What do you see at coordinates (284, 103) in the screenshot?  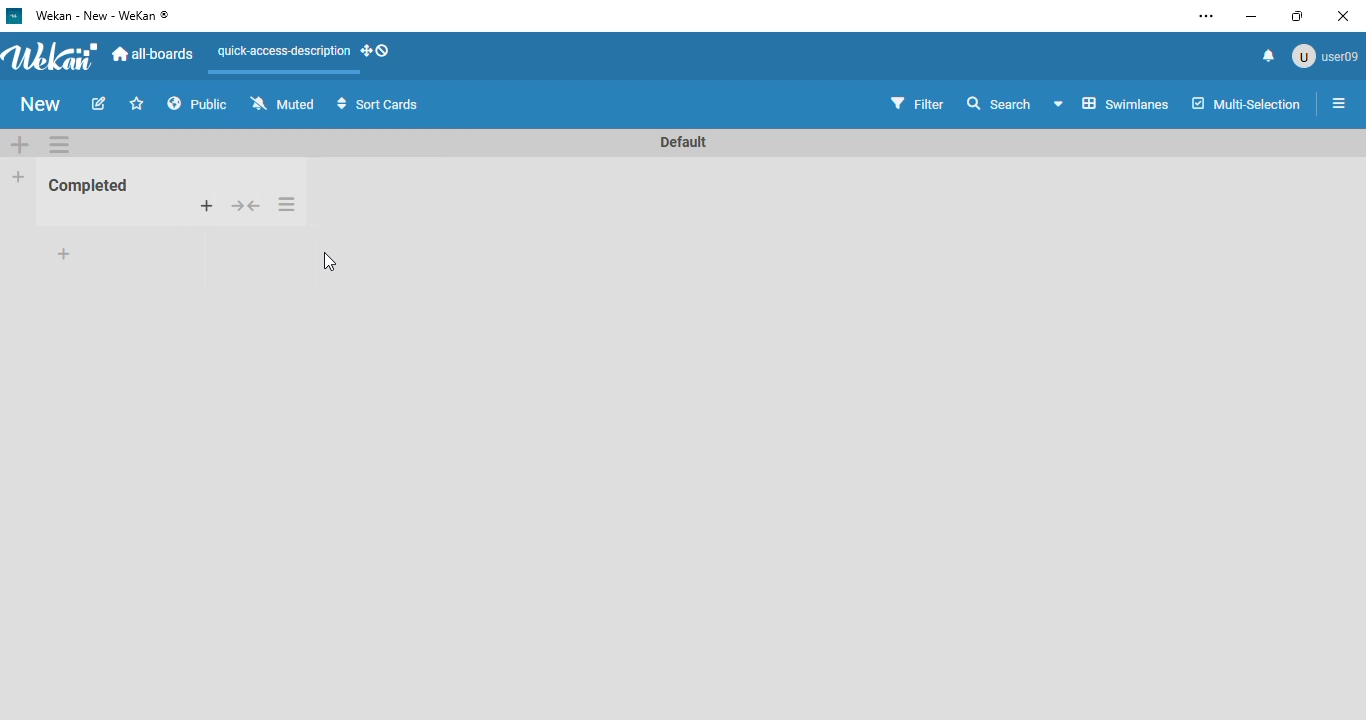 I see `muted` at bounding box center [284, 103].